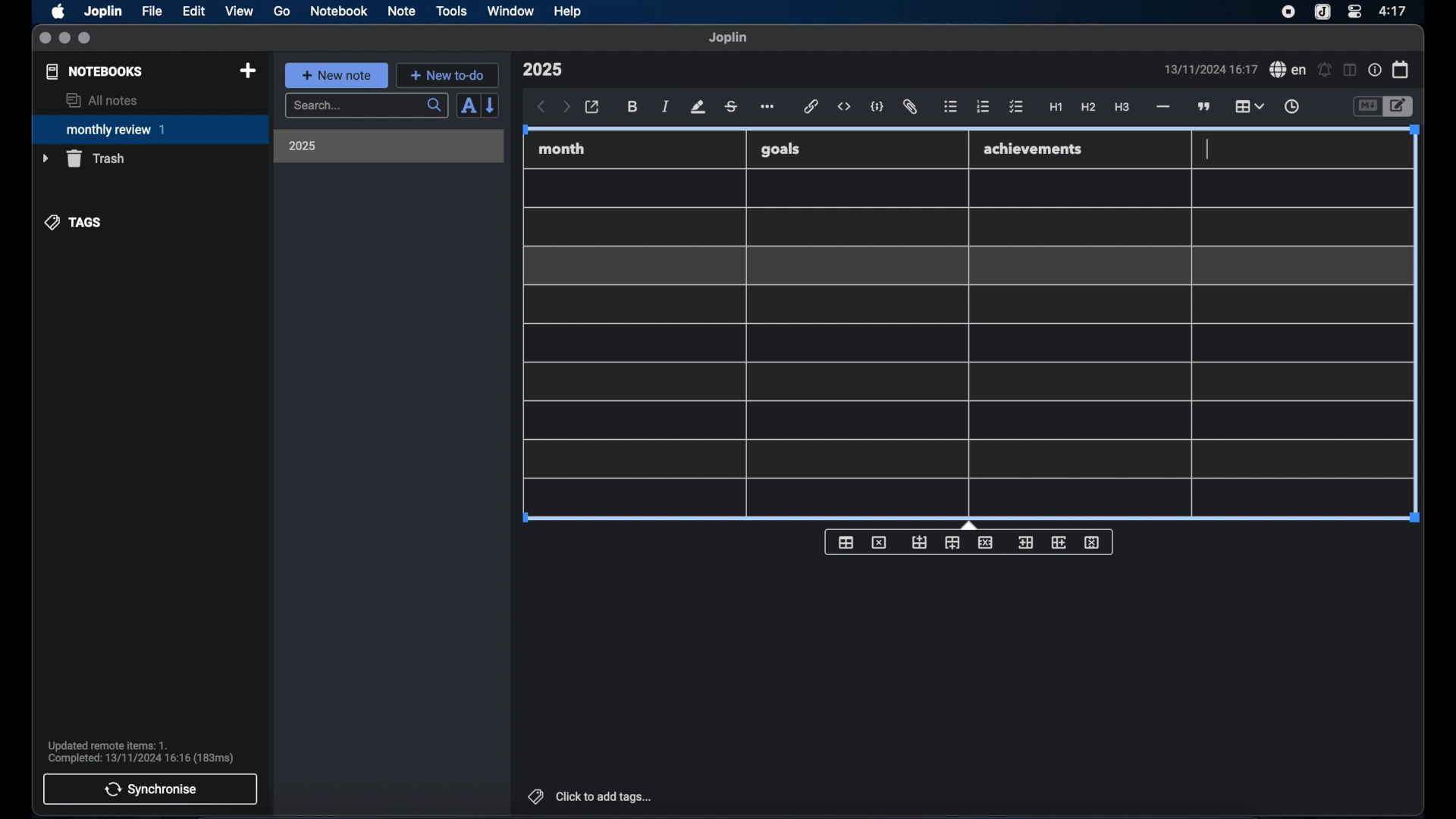 The height and width of the screenshot is (819, 1456). Describe the element at coordinates (769, 108) in the screenshot. I see `more options` at that location.